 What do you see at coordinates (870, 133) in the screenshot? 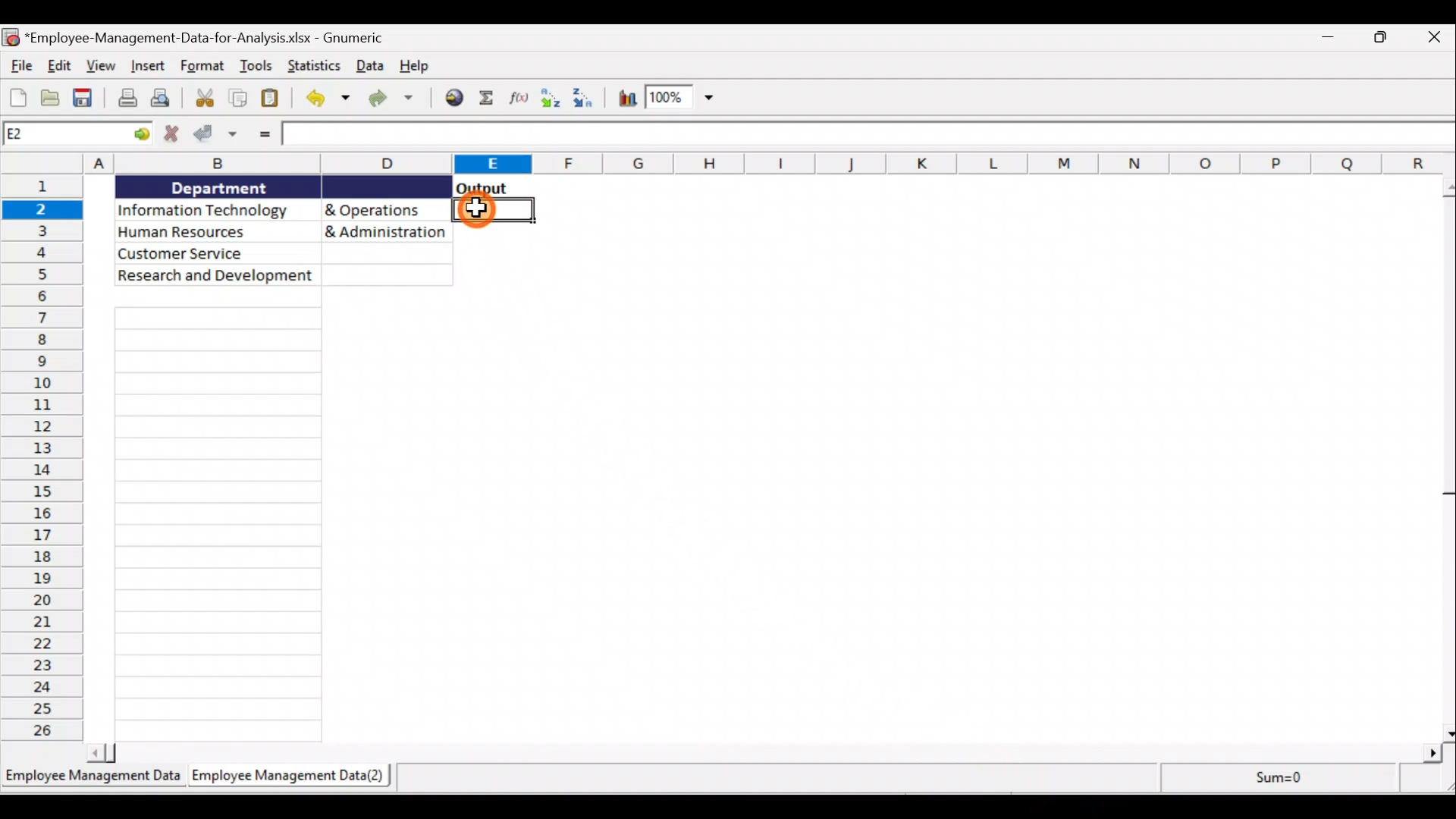
I see `Formula bar` at bounding box center [870, 133].